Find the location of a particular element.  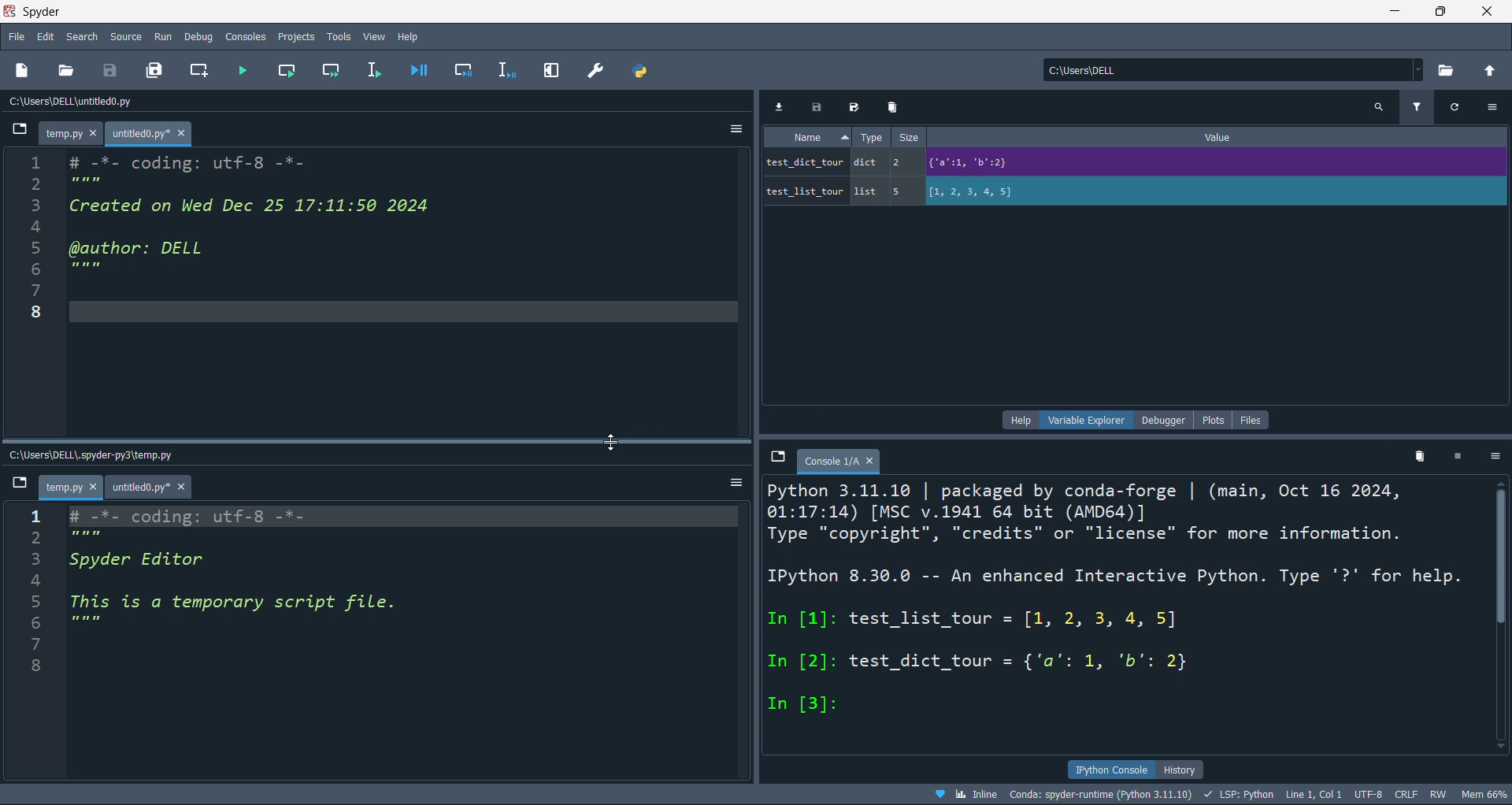

| test dict _tour dict 2 {'a':1, 'b':2} is located at coordinates (1086, 161).